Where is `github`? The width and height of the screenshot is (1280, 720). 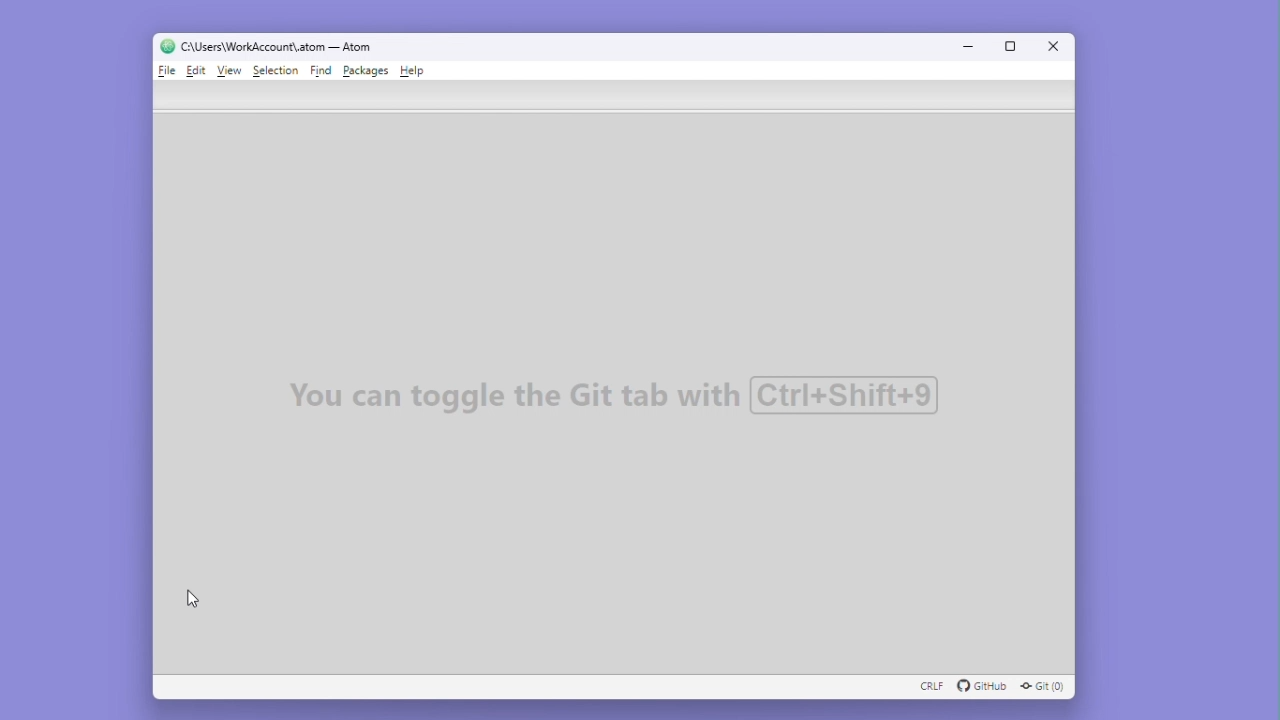
github is located at coordinates (986, 686).